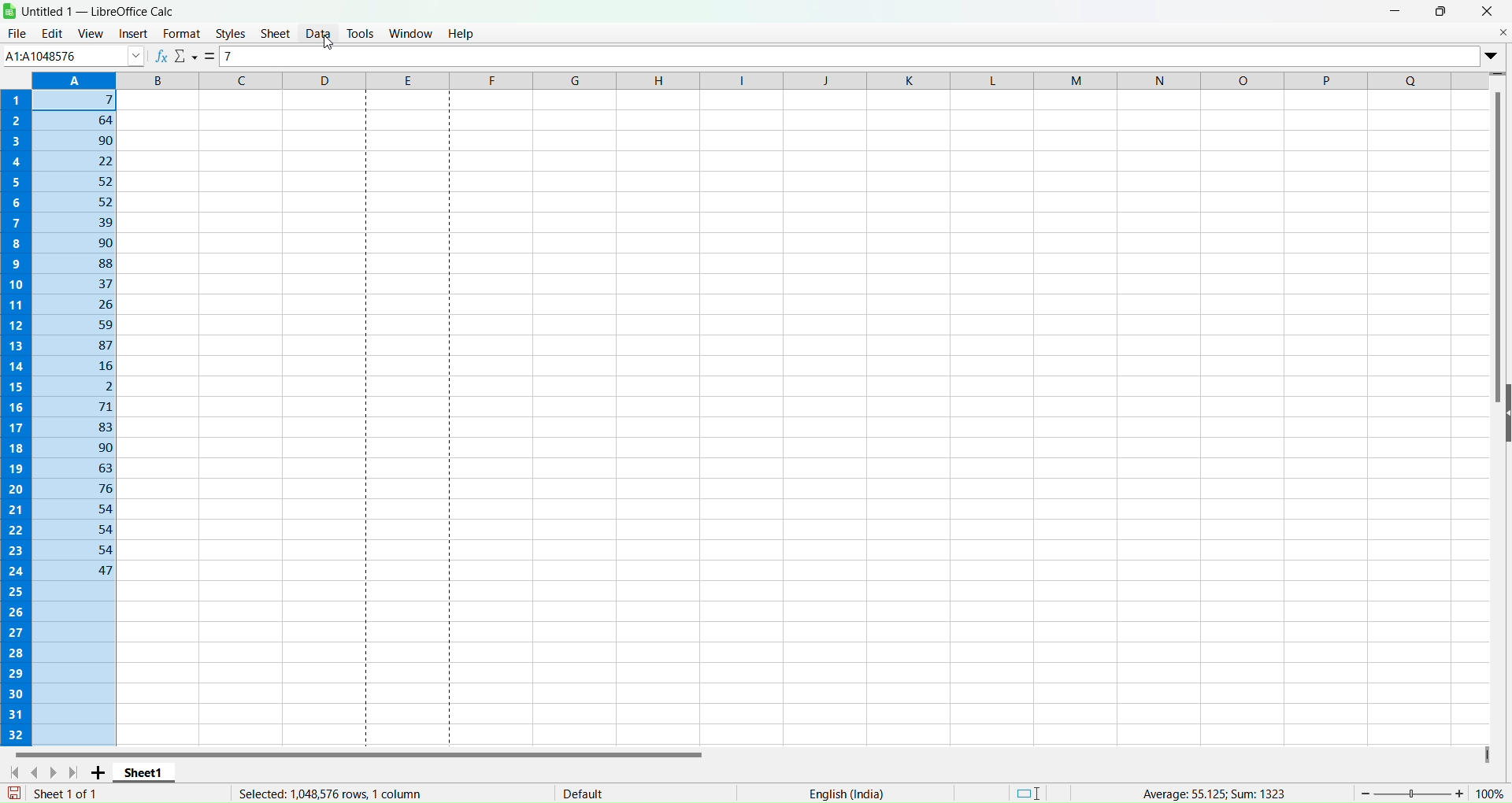  Describe the element at coordinates (1433, 791) in the screenshot. I see `Zoom Factor` at that location.